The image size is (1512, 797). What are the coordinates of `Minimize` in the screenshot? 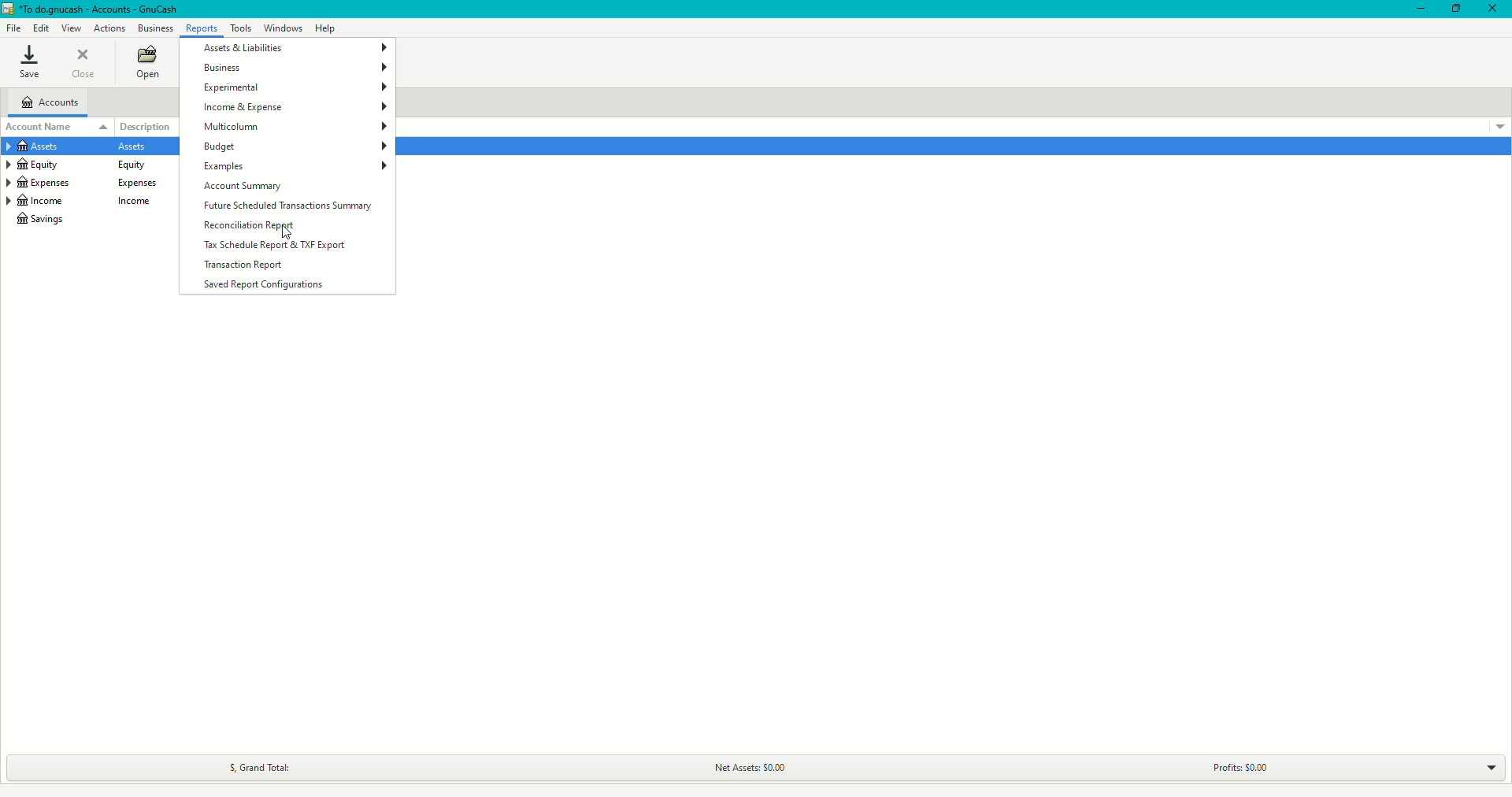 It's located at (1413, 10).